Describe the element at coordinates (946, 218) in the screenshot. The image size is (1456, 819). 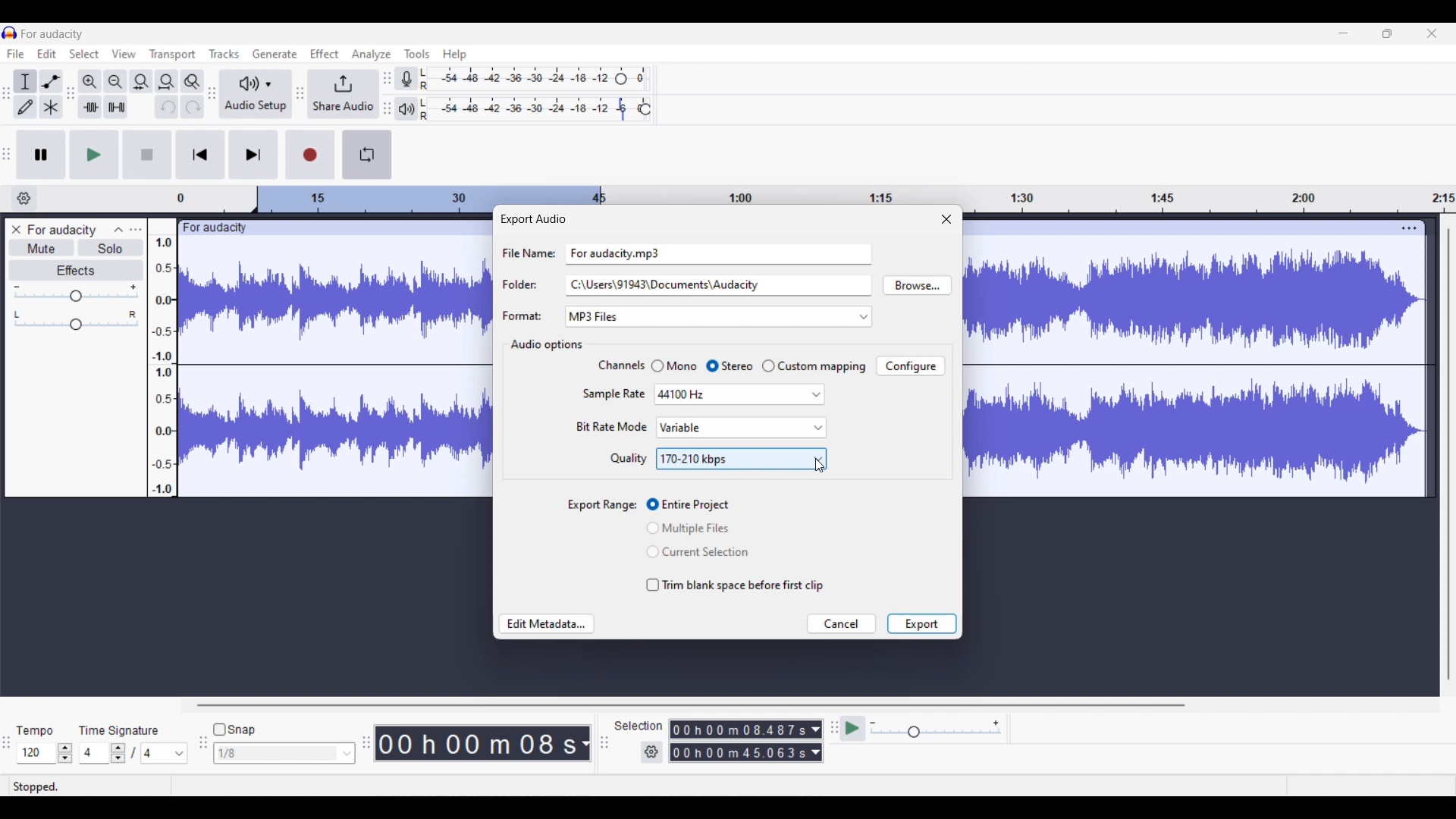
I see `Close` at that location.